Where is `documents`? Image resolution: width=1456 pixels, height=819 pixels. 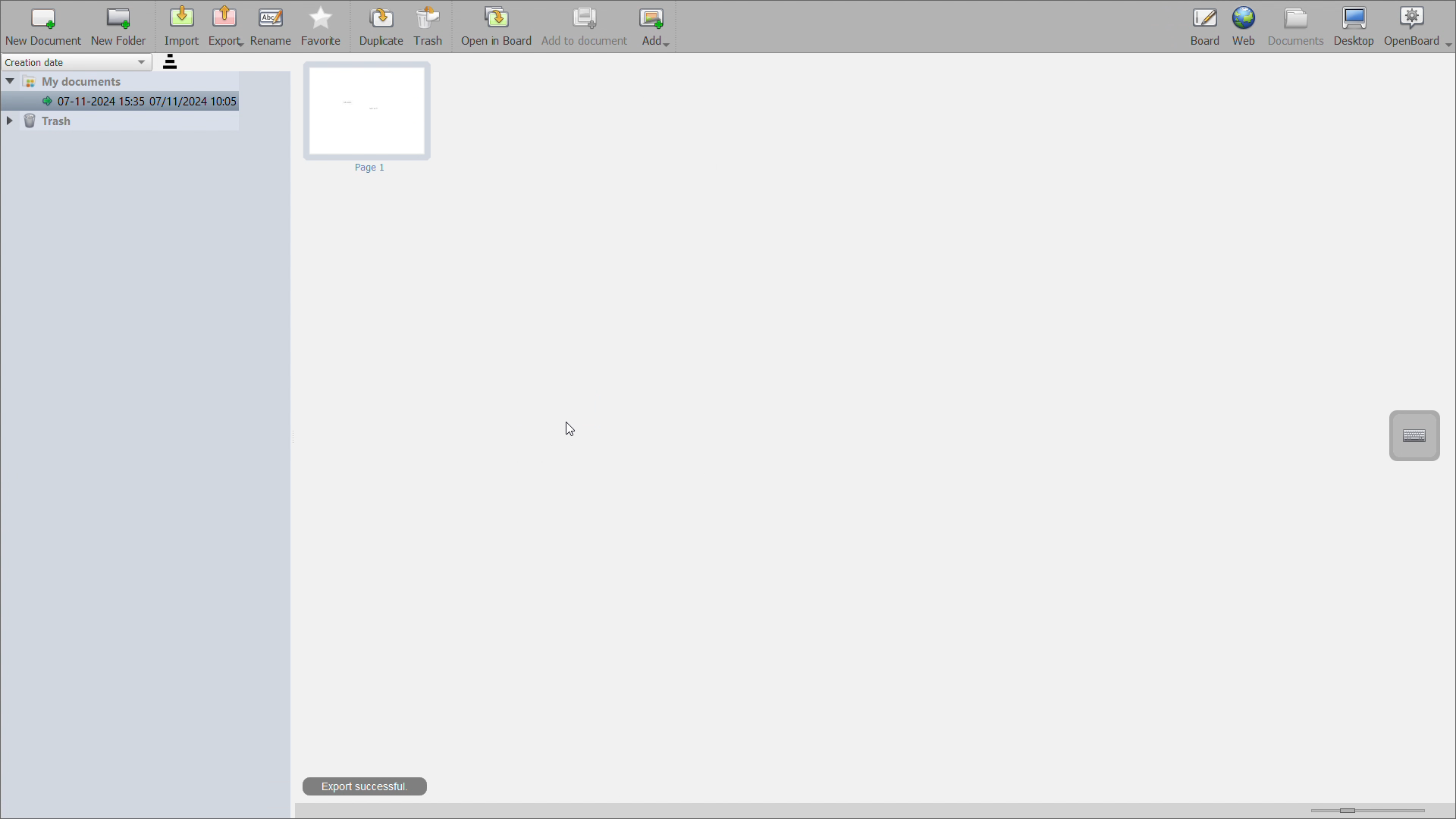 documents is located at coordinates (1297, 27).